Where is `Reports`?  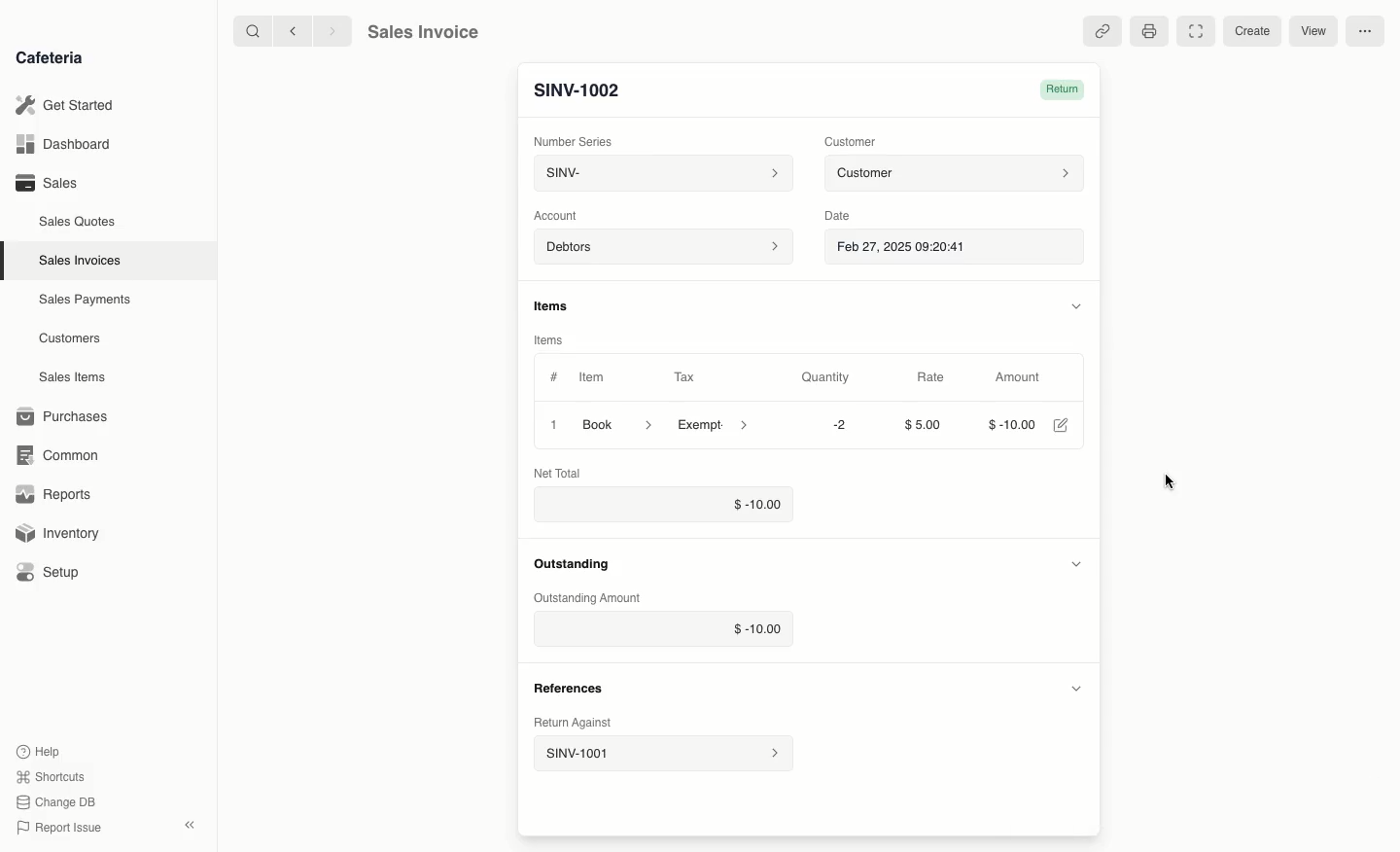
Reports is located at coordinates (53, 492).